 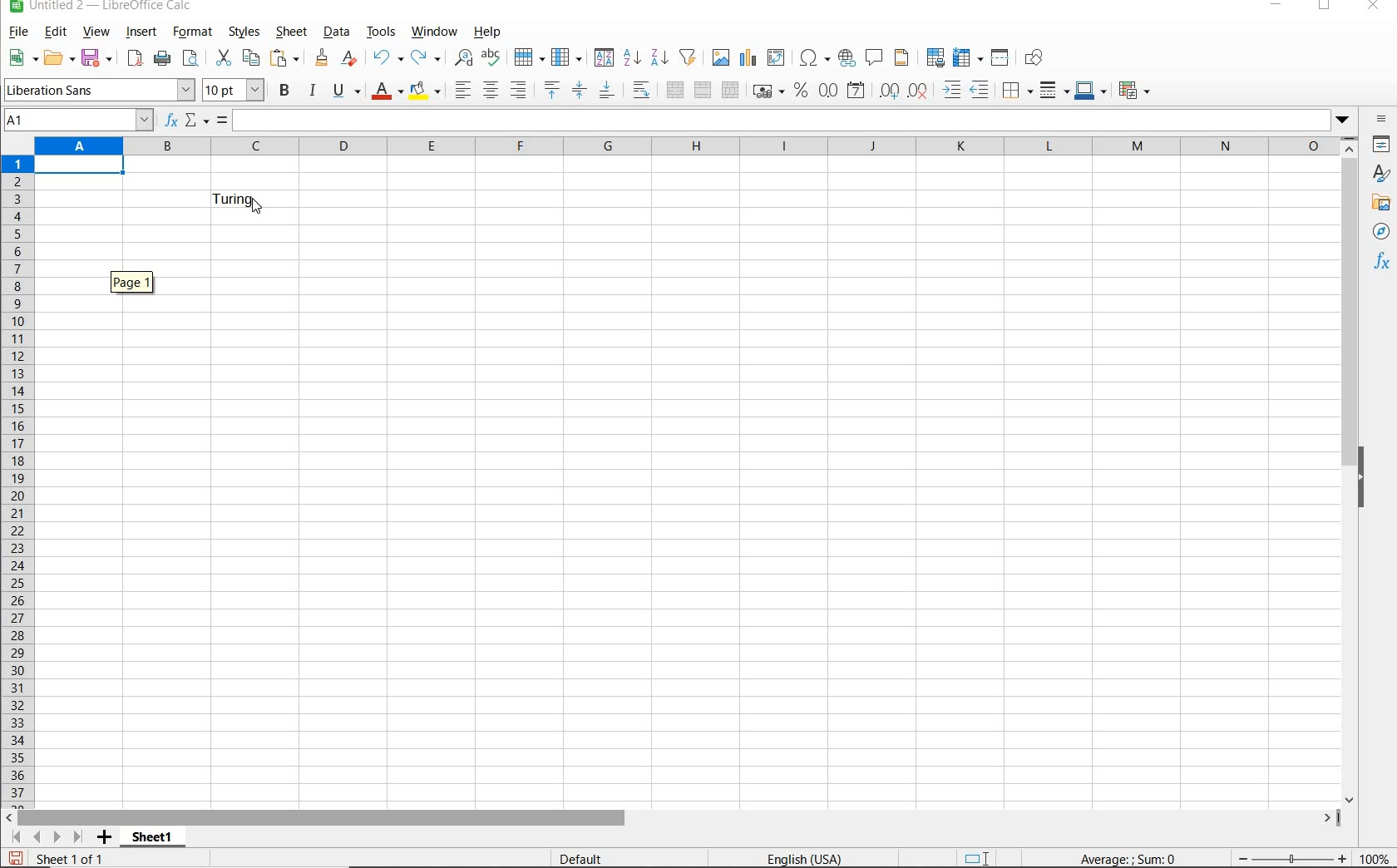 What do you see at coordinates (703, 91) in the screenshot?
I see `MERGE CELLS` at bounding box center [703, 91].